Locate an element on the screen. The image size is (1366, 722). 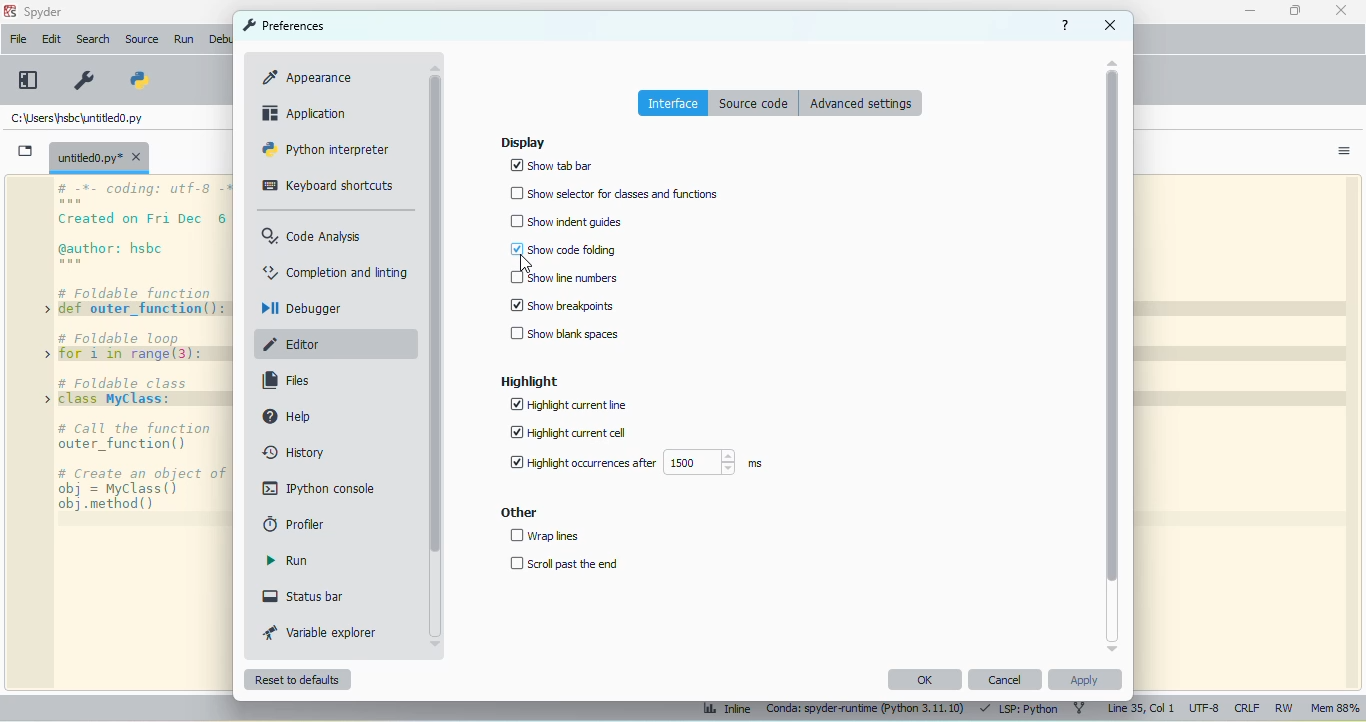
spyder is located at coordinates (43, 12).